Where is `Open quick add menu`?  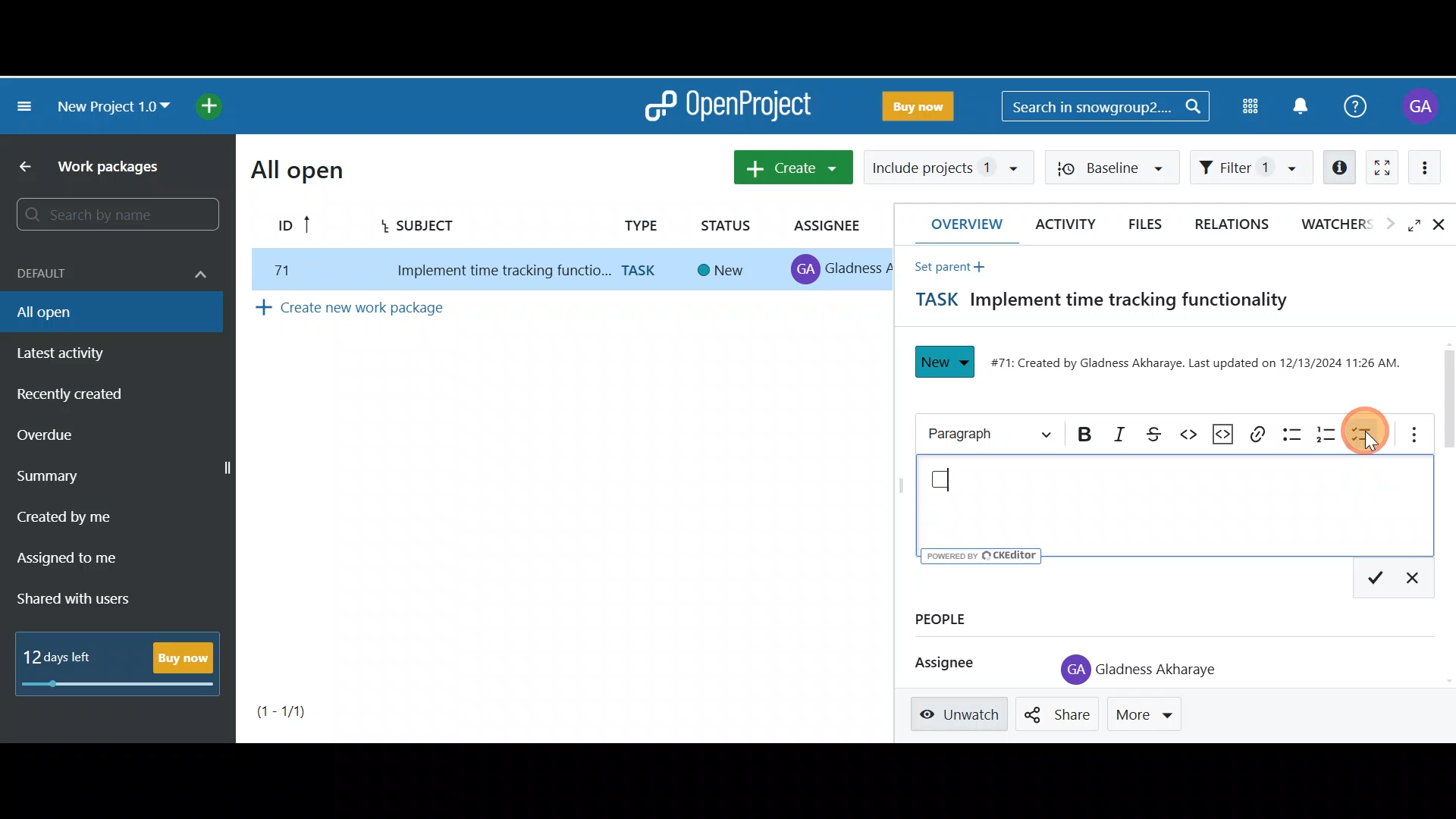
Open quick add menu is located at coordinates (209, 104).